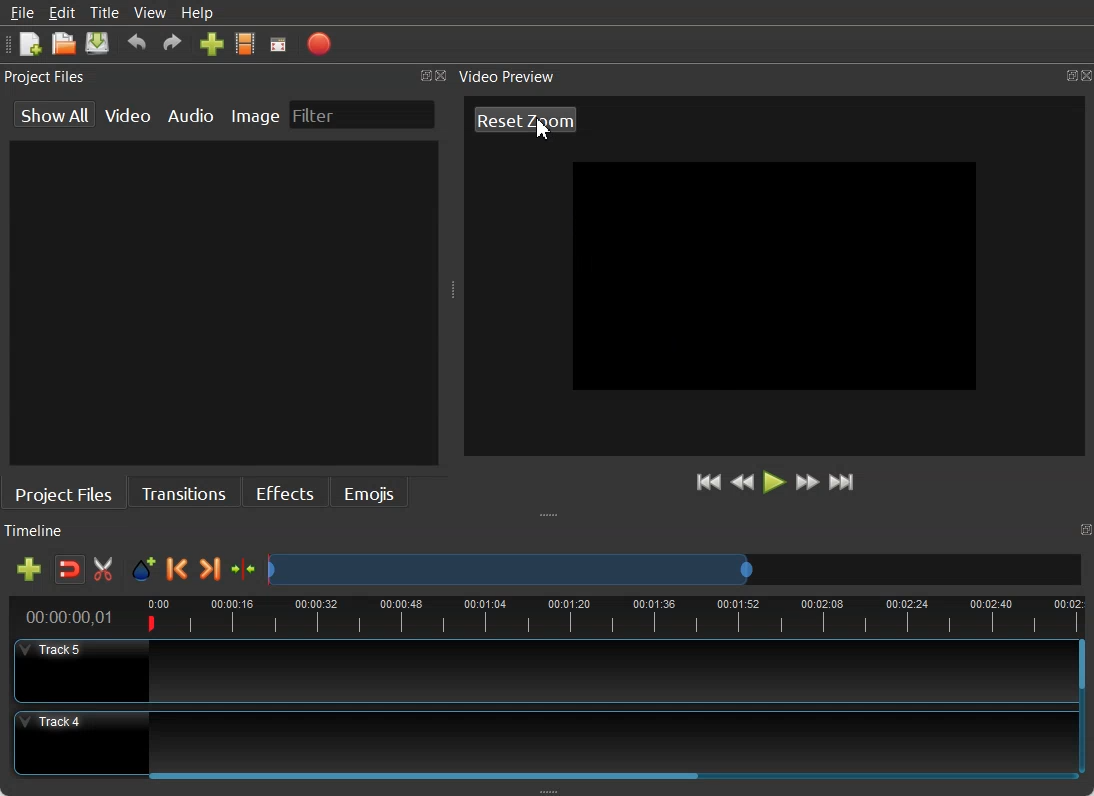  Describe the element at coordinates (278, 43) in the screenshot. I see `Fullscreen` at that location.